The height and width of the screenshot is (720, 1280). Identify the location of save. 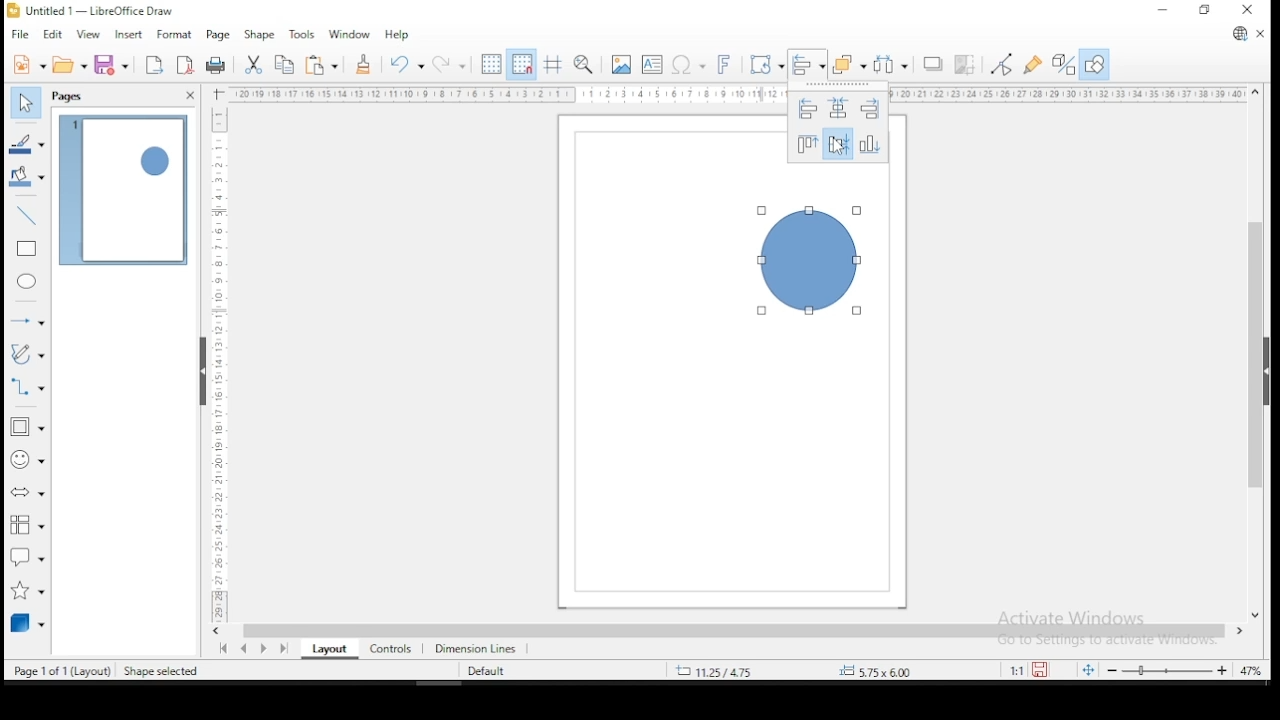
(111, 64).